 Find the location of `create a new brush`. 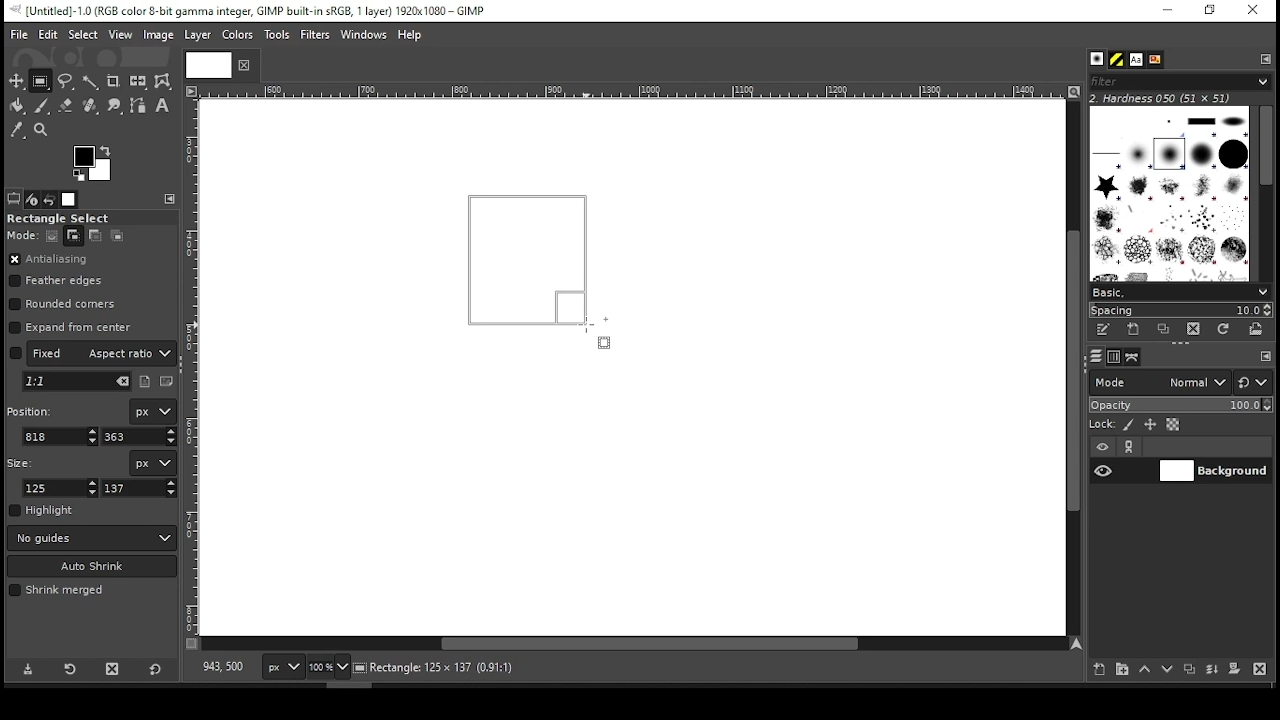

create a new brush is located at coordinates (1136, 329).